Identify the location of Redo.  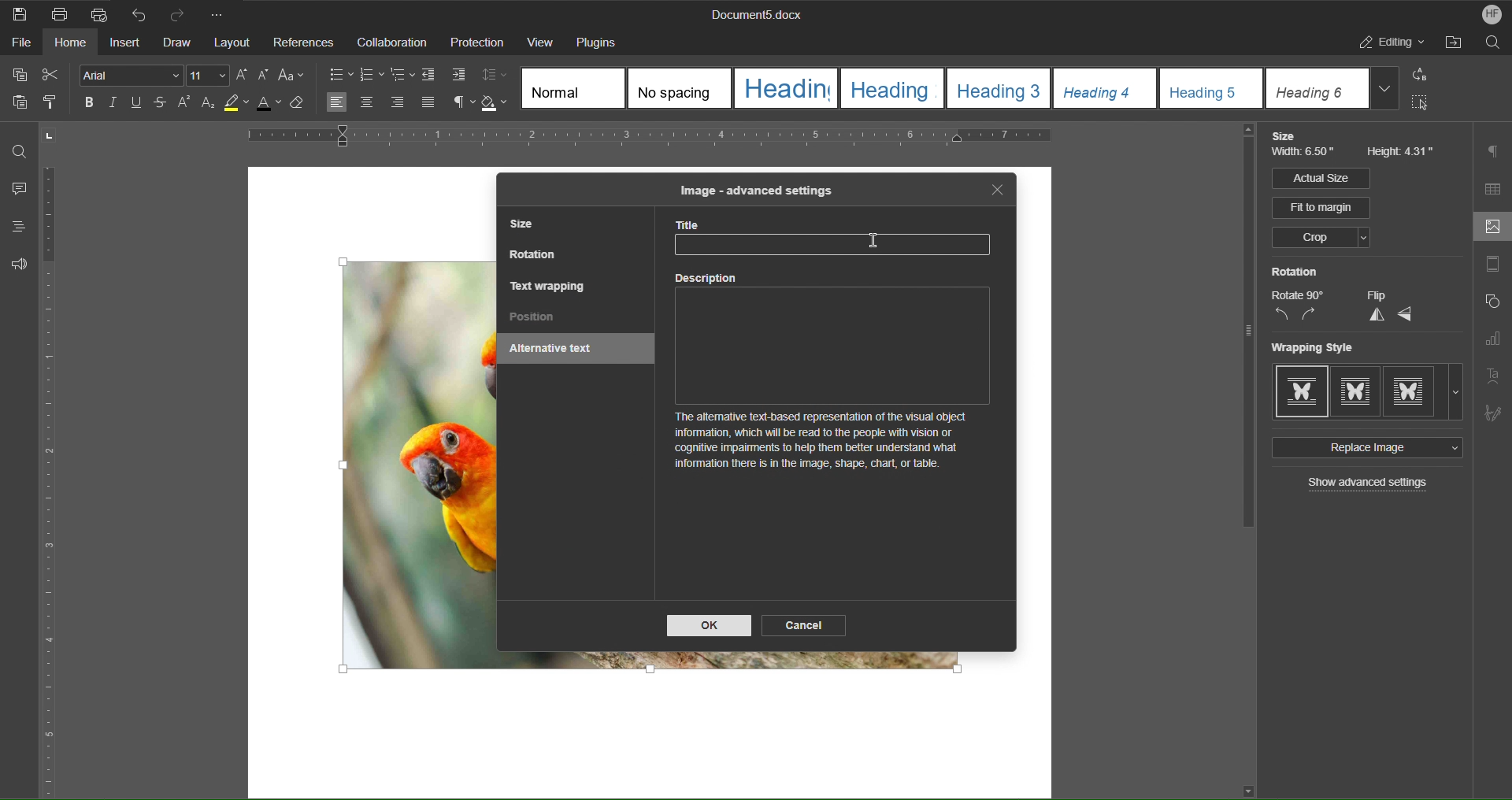
(183, 13).